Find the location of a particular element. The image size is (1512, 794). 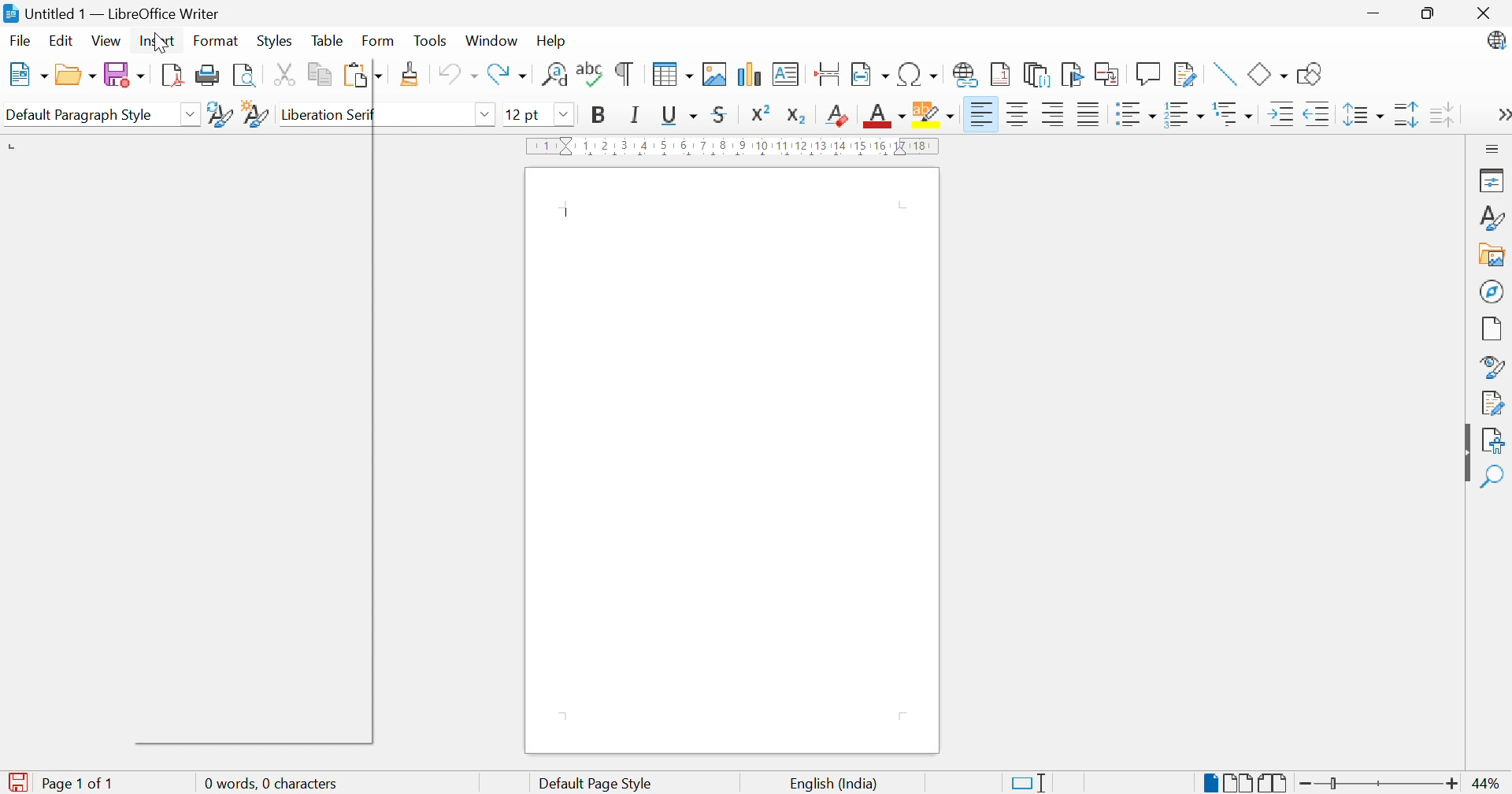

Format is located at coordinates (213, 41).